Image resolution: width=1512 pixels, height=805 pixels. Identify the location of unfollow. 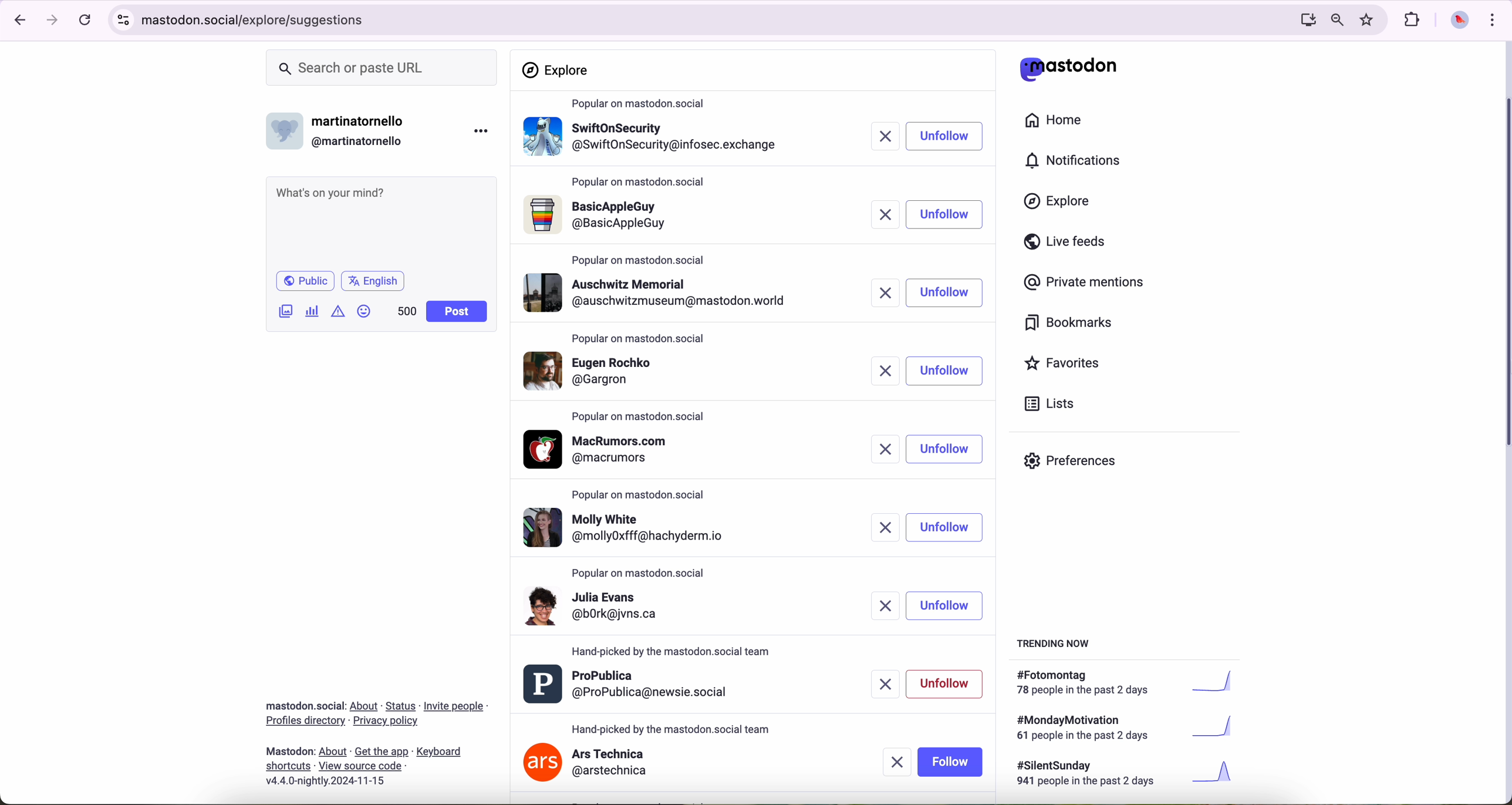
(945, 449).